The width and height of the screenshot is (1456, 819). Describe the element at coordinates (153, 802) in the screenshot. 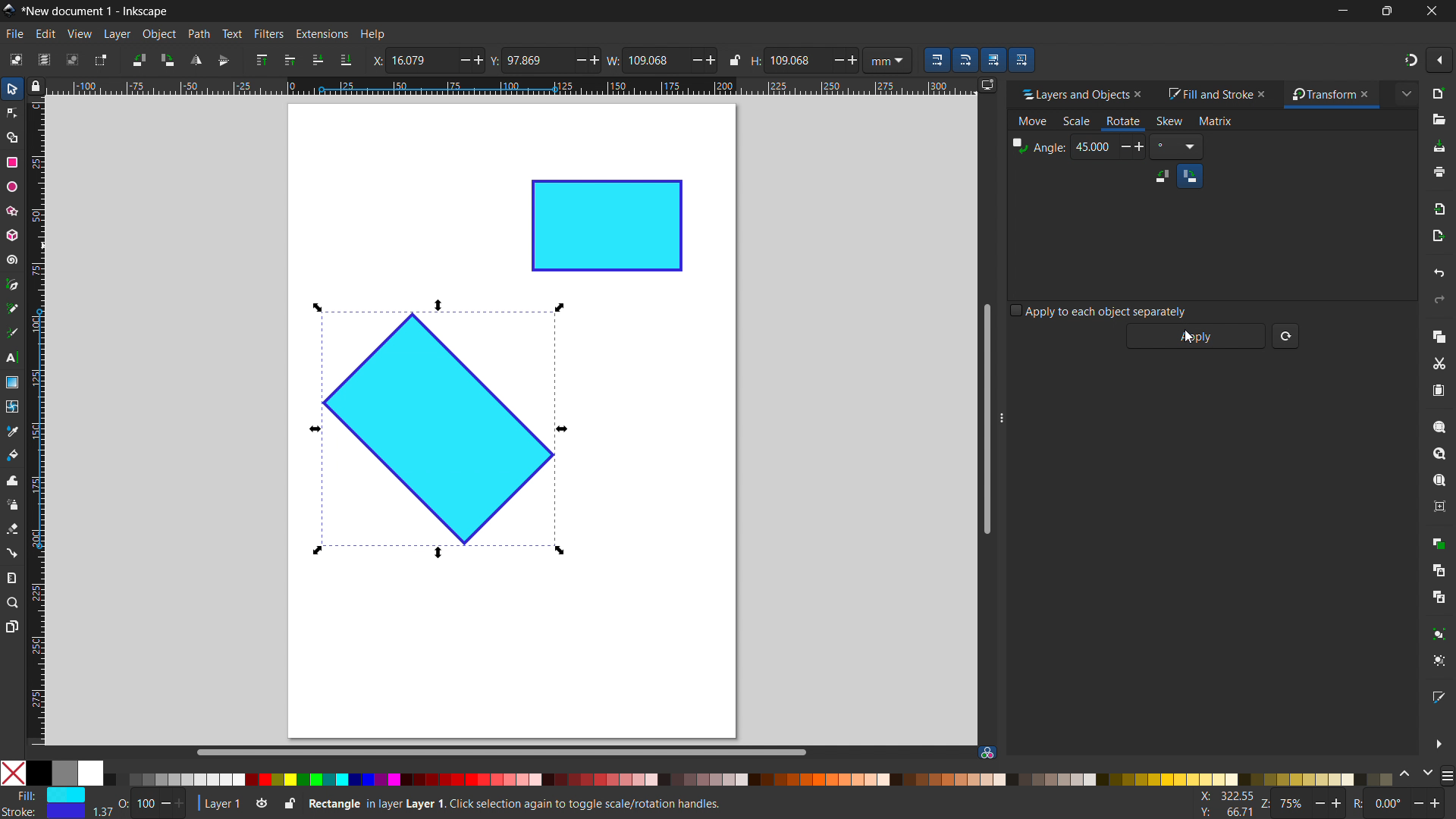

I see `O: 100` at that location.